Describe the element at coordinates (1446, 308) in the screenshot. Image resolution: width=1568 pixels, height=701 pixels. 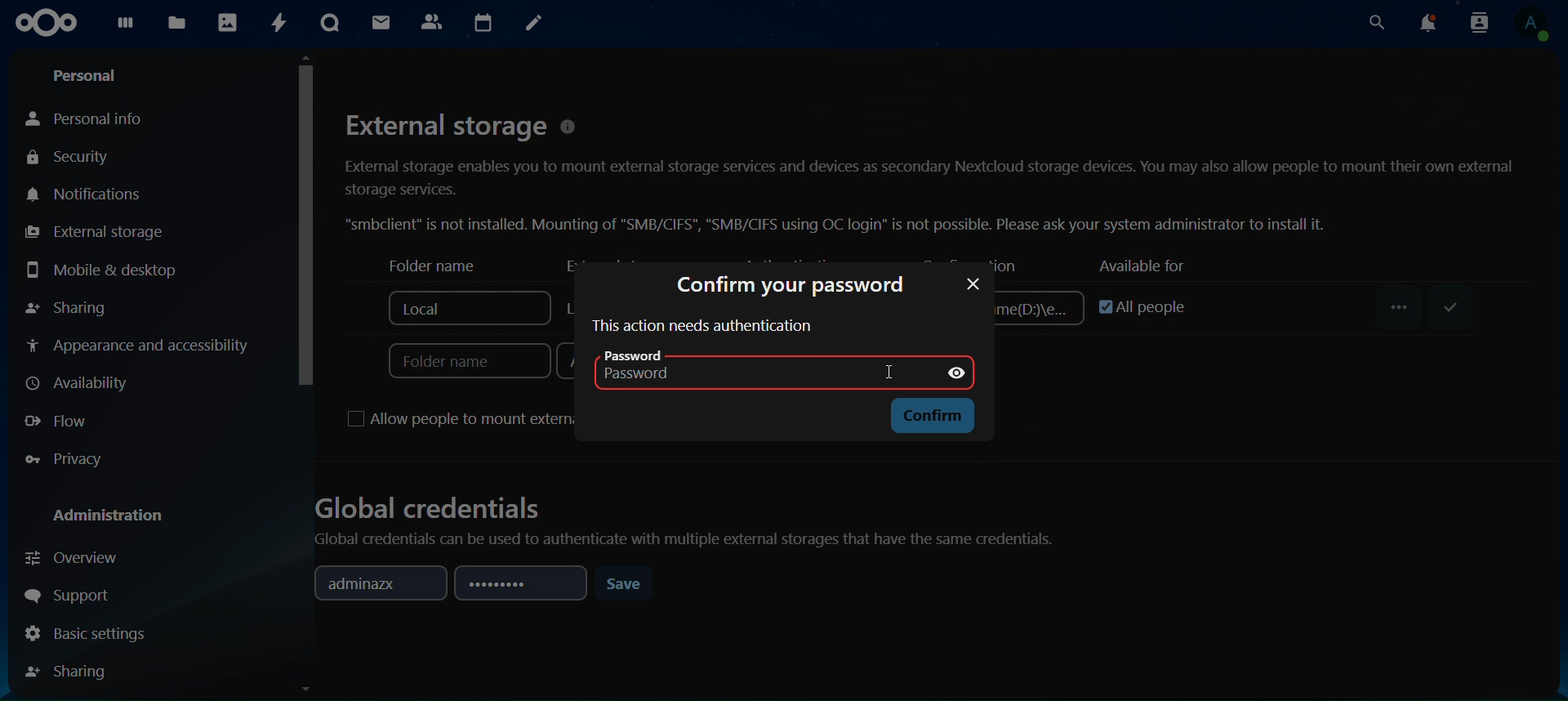
I see `save` at that location.